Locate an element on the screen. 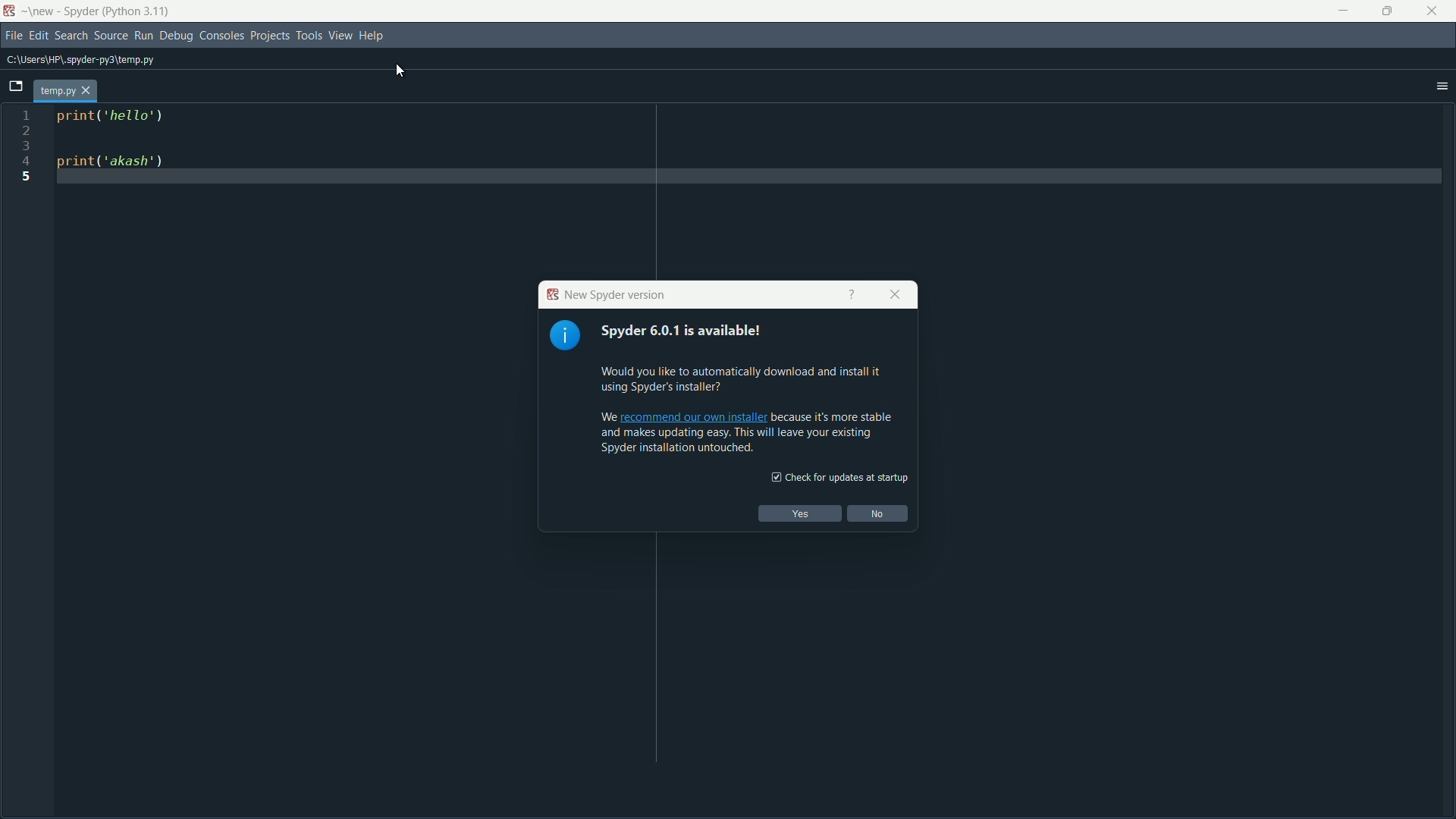 The image size is (1456, 819). options is located at coordinates (1442, 88).